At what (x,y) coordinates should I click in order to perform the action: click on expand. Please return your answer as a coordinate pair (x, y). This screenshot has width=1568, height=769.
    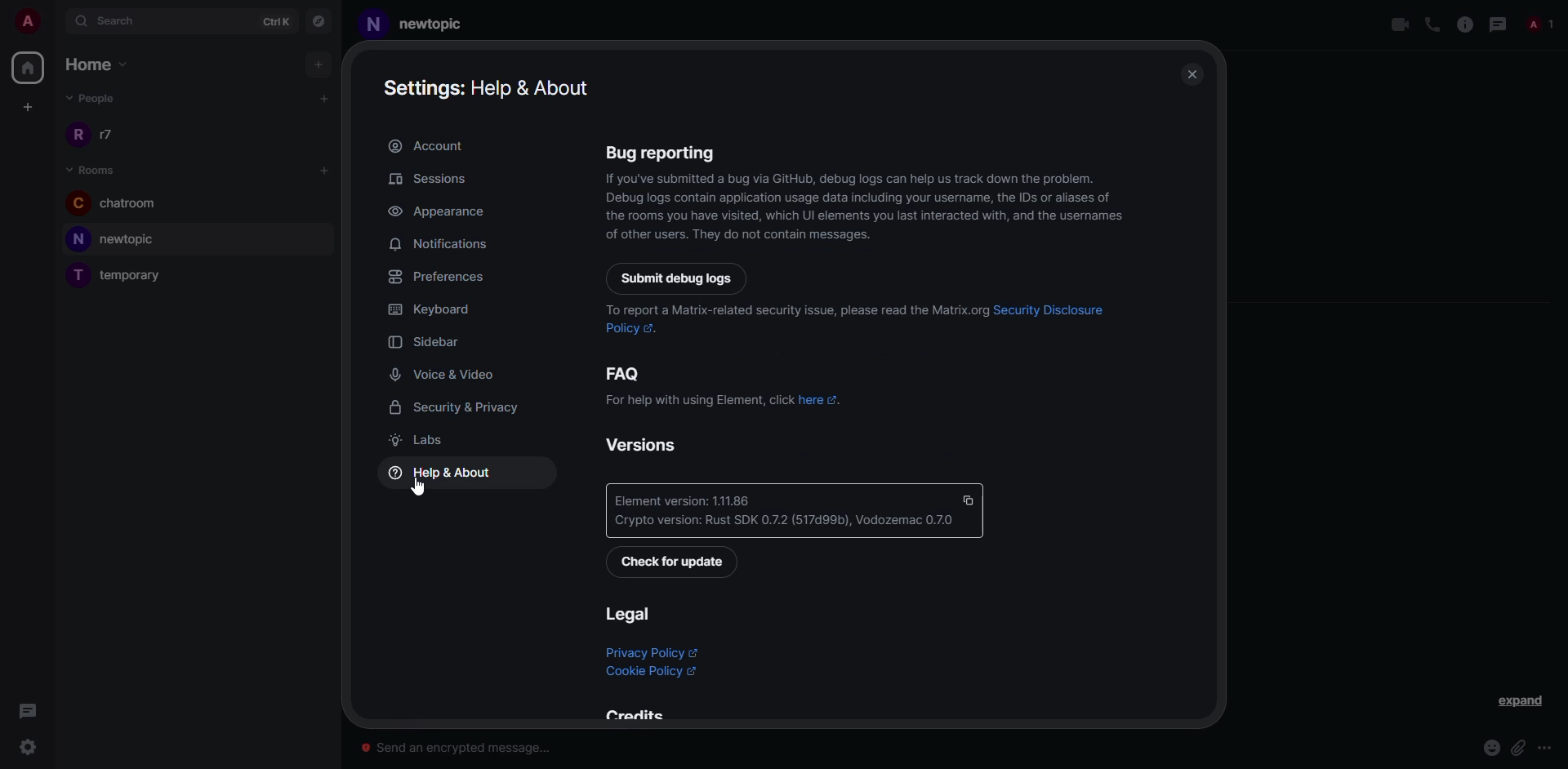
    Looking at the image, I should click on (55, 21).